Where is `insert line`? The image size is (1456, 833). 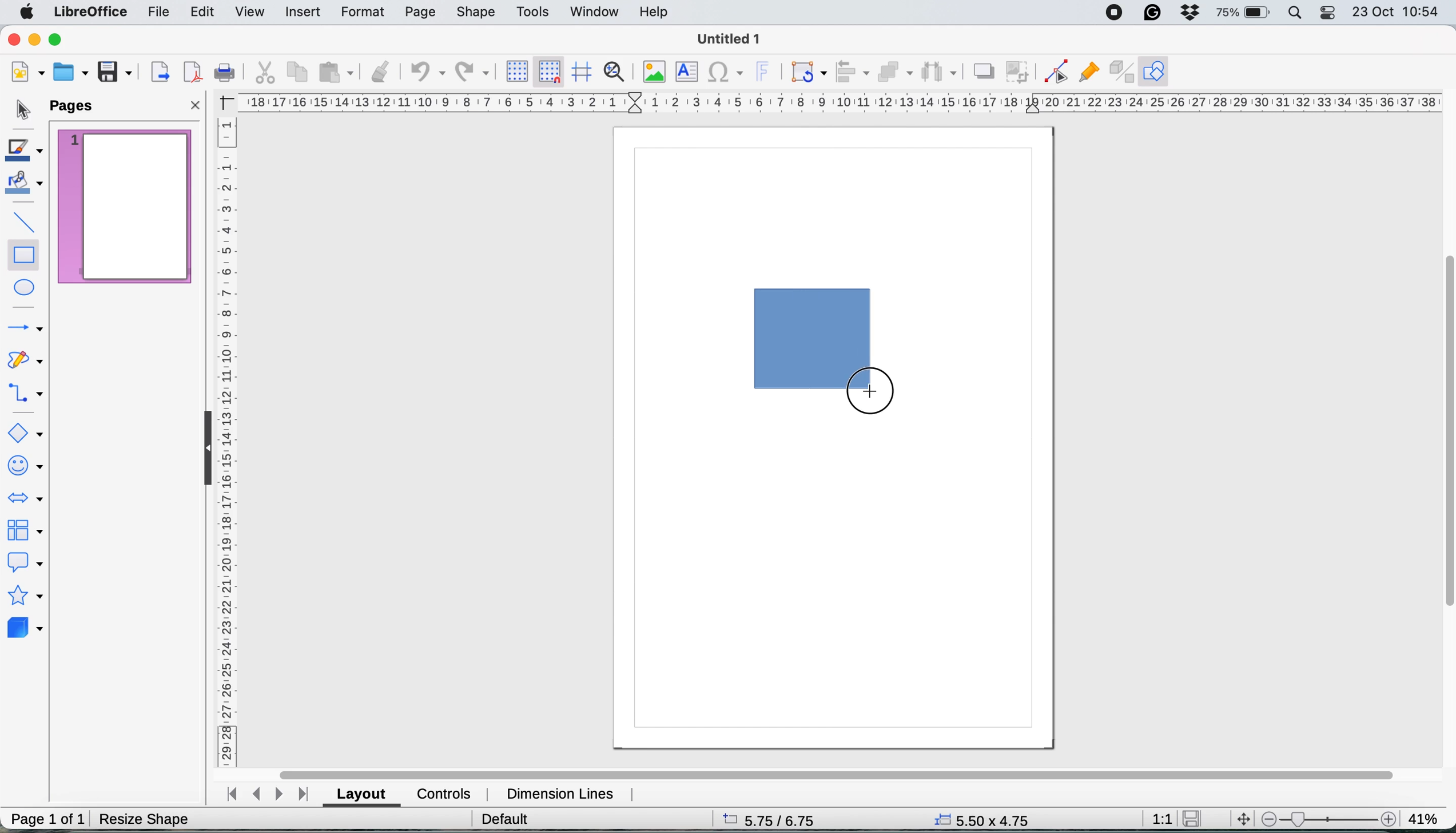 insert line is located at coordinates (21, 220).